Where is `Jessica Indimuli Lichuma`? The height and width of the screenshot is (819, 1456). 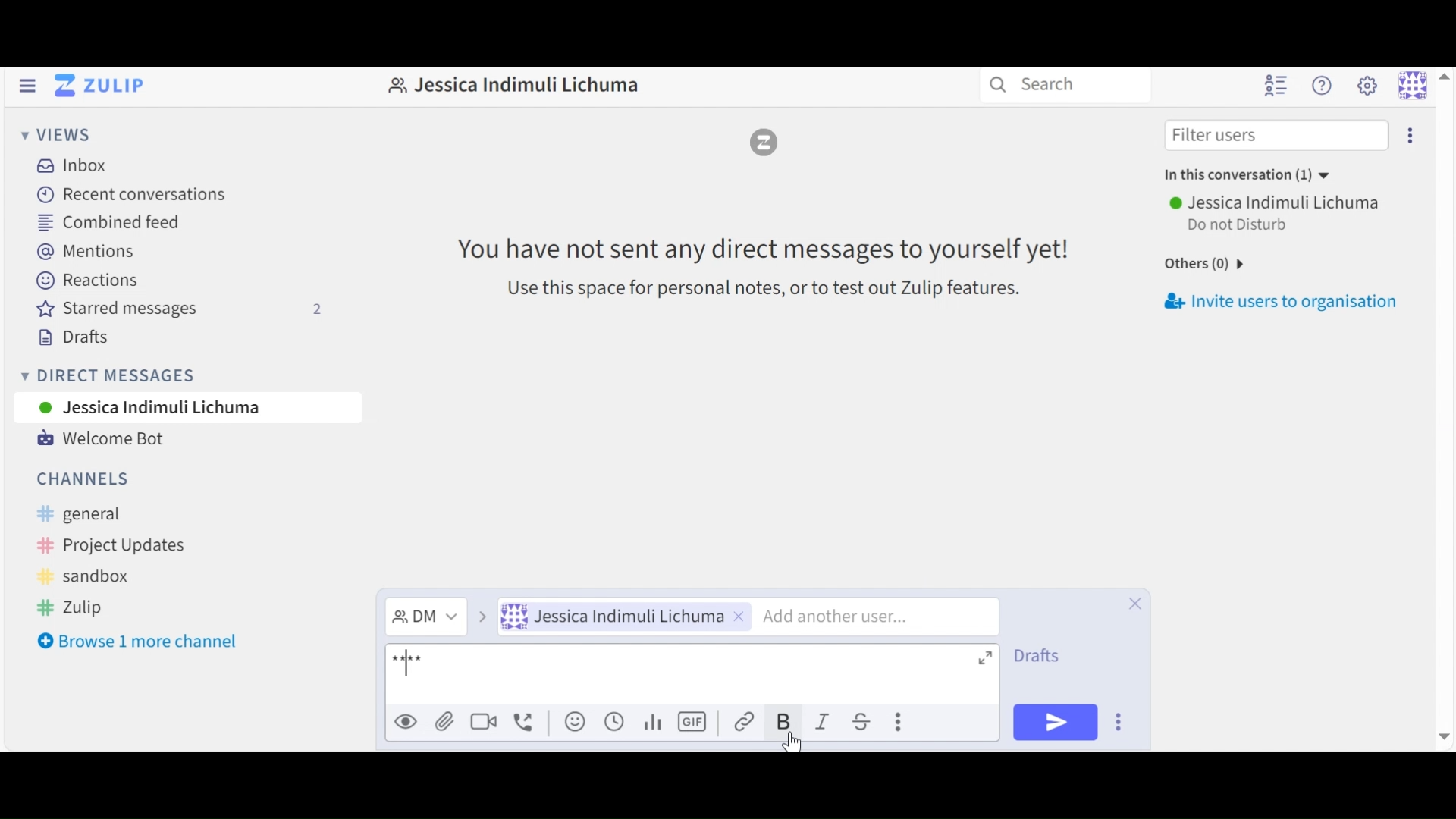
Jessica Indimuli Lichuma is located at coordinates (510, 89).